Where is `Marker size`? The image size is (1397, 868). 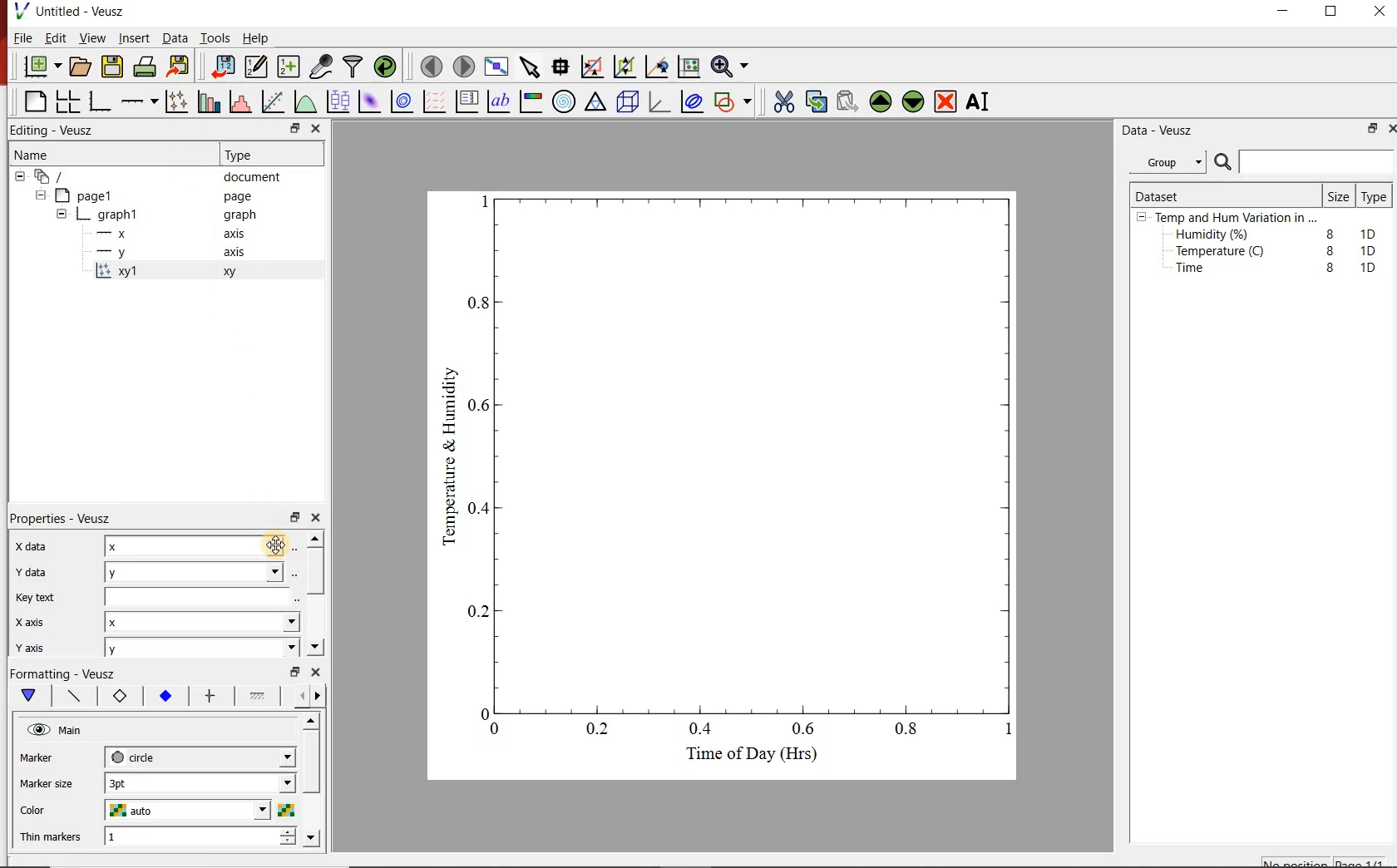 Marker size is located at coordinates (54, 782).